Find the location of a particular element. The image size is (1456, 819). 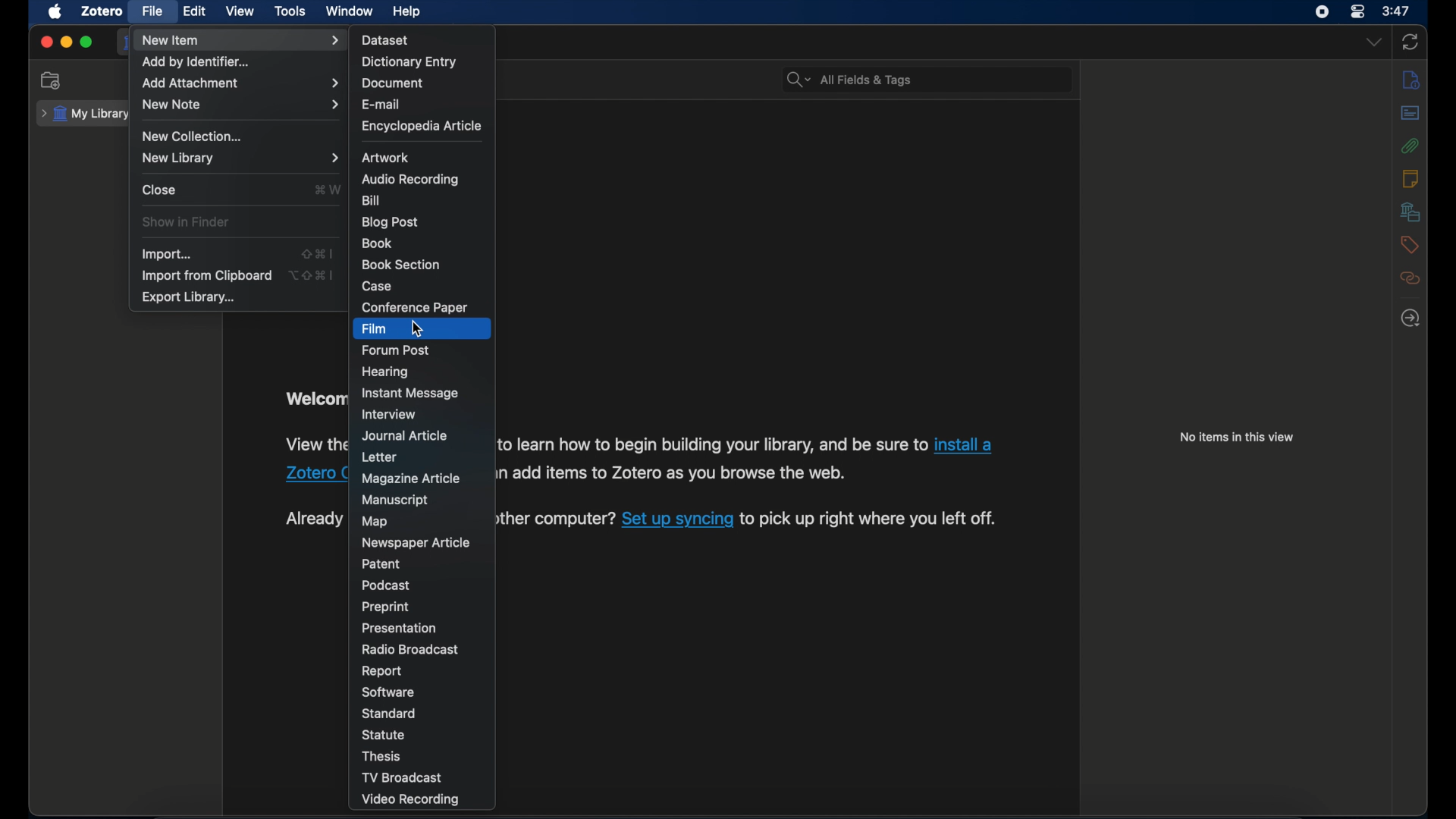

close is located at coordinates (45, 42).